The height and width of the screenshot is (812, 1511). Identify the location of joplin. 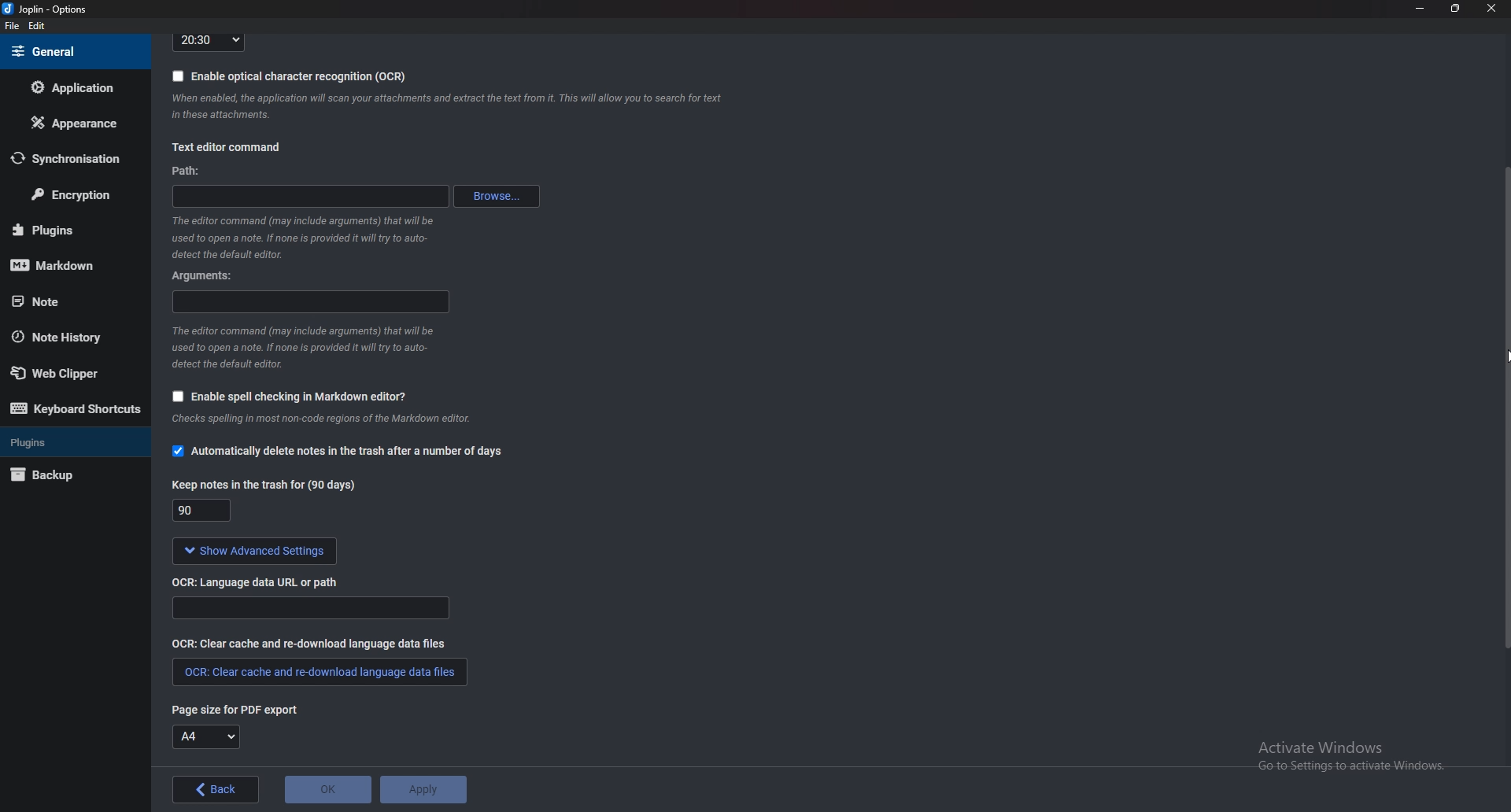
(48, 10).